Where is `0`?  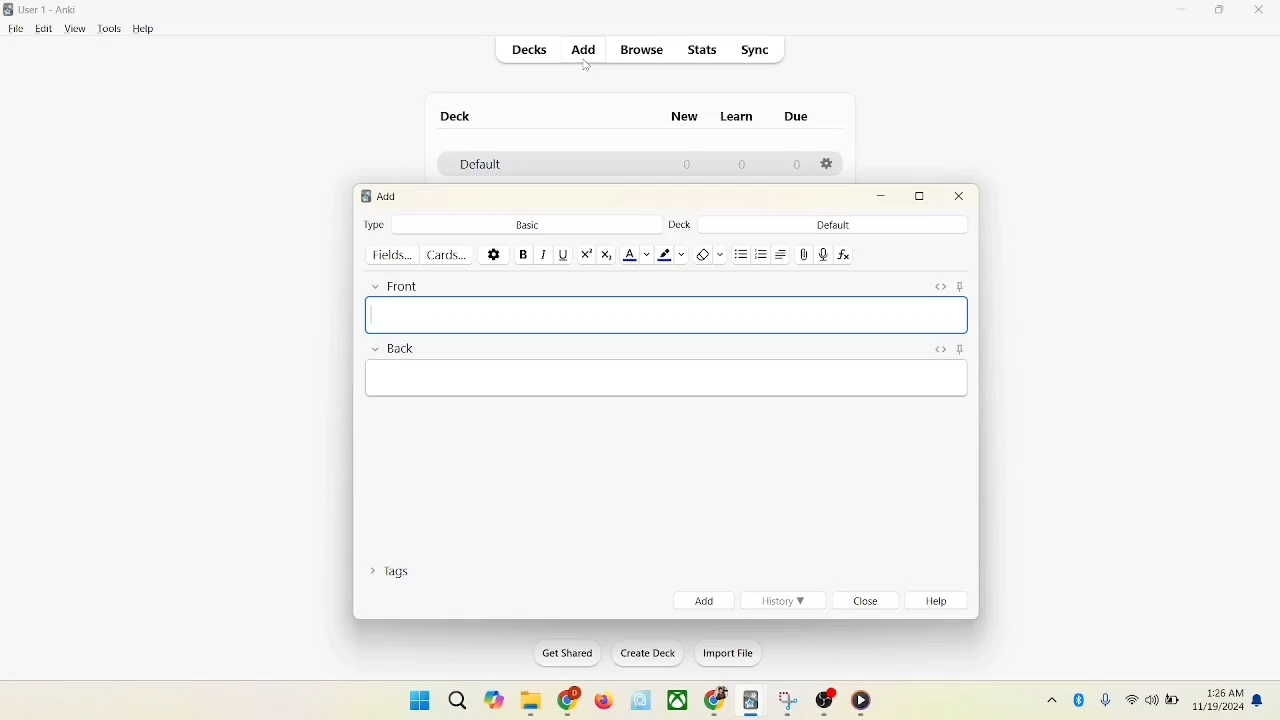 0 is located at coordinates (798, 165).